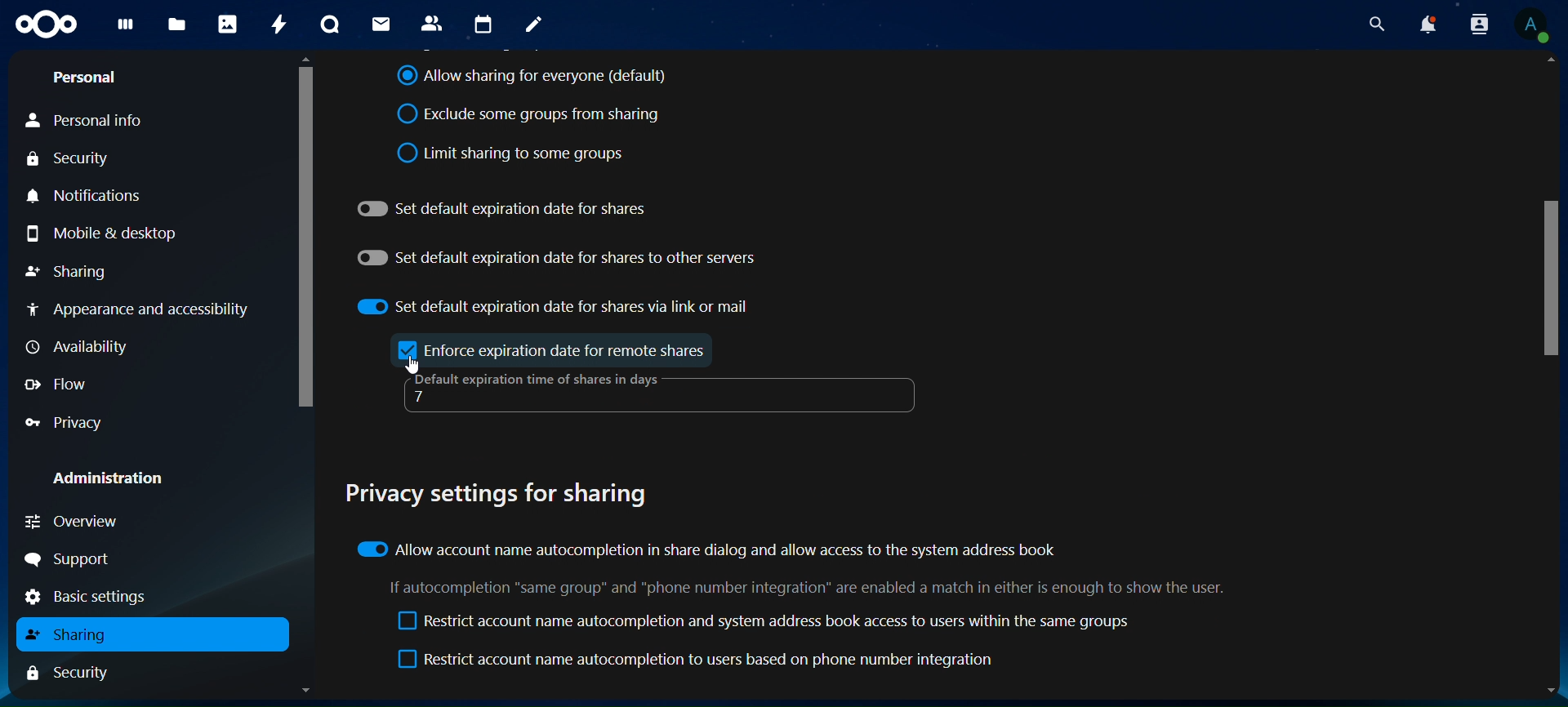 This screenshot has width=1568, height=707. I want to click on notifications, so click(1429, 24).